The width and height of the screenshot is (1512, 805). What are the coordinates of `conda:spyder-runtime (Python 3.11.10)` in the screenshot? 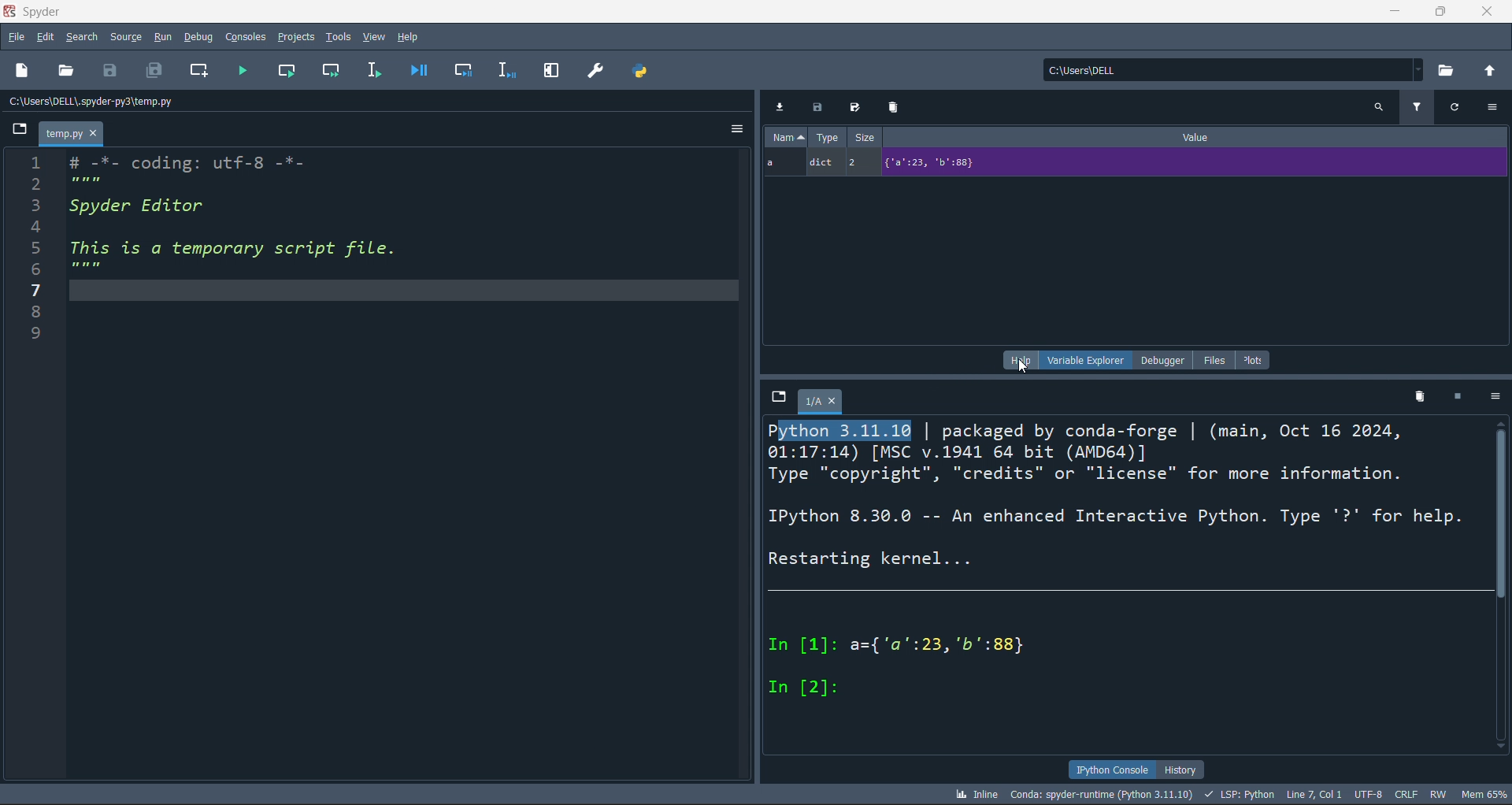 It's located at (1101, 796).